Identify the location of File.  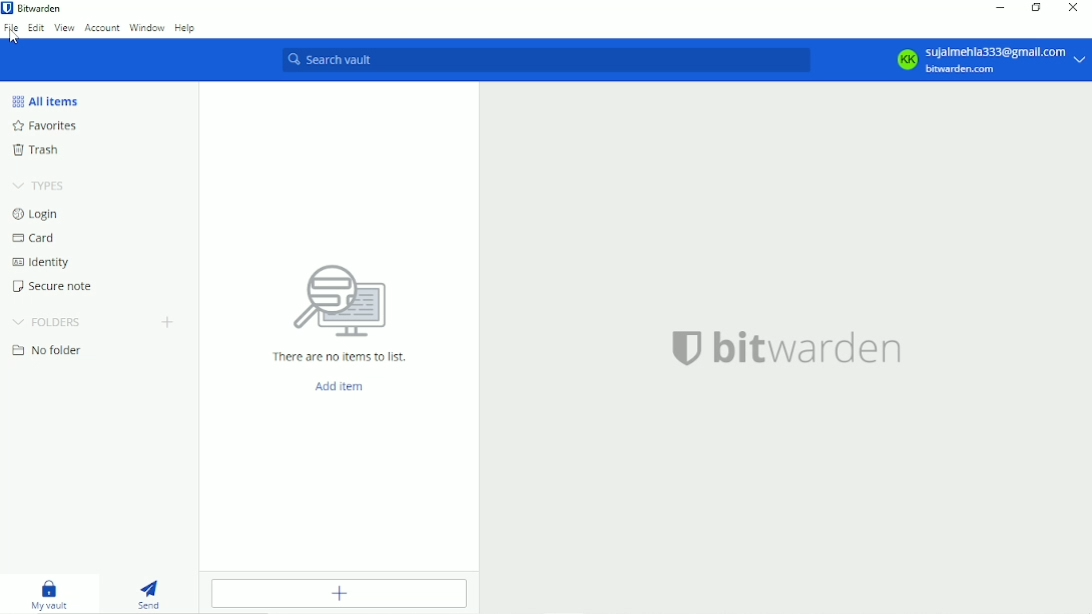
(11, 27).